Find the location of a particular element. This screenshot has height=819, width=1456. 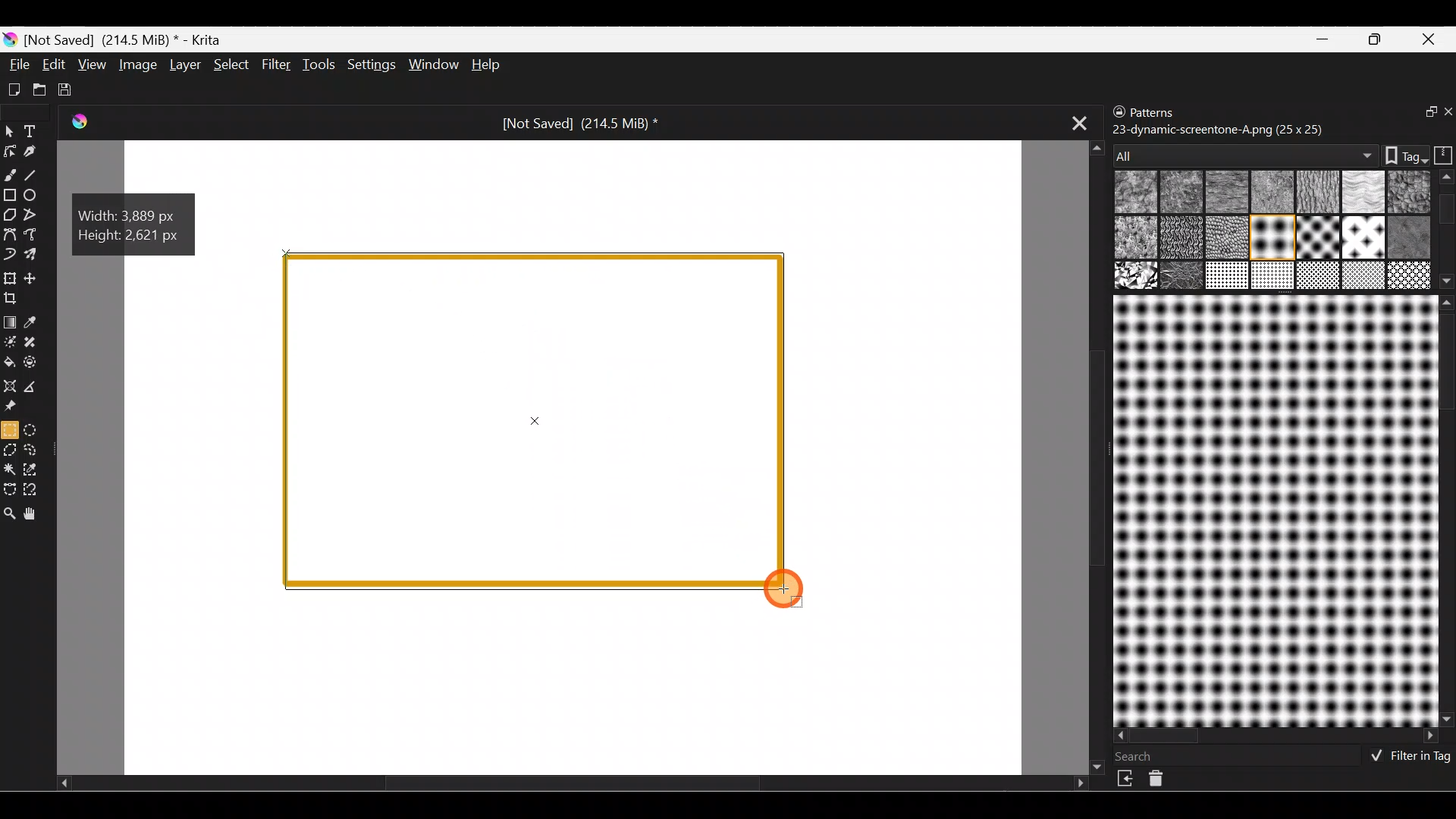

Bezier curve selection tool is located at coordinates (11, 489).